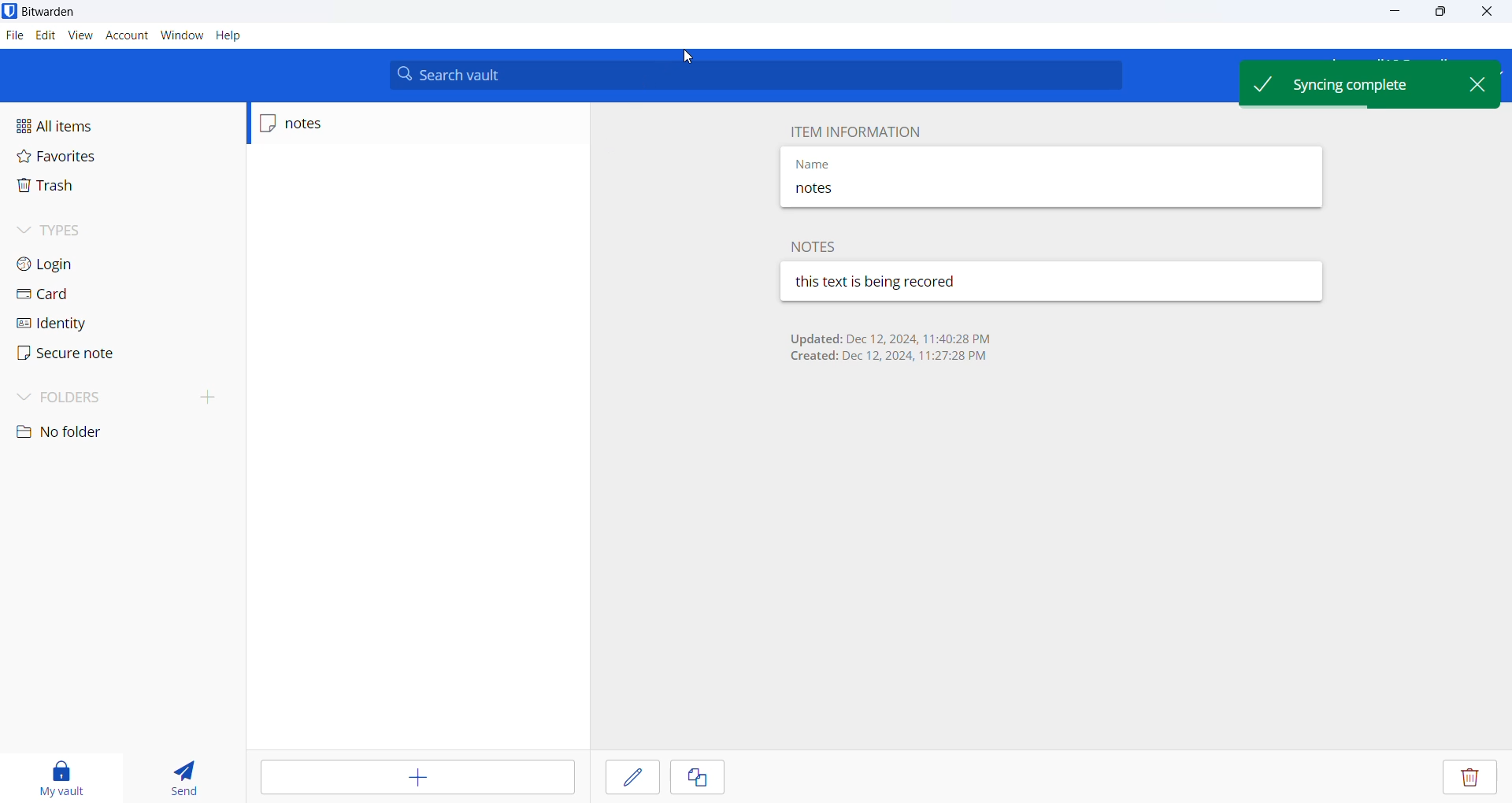  Describe the element at coordinates (875, 161) in the screenshot. I see `name ` at that location.